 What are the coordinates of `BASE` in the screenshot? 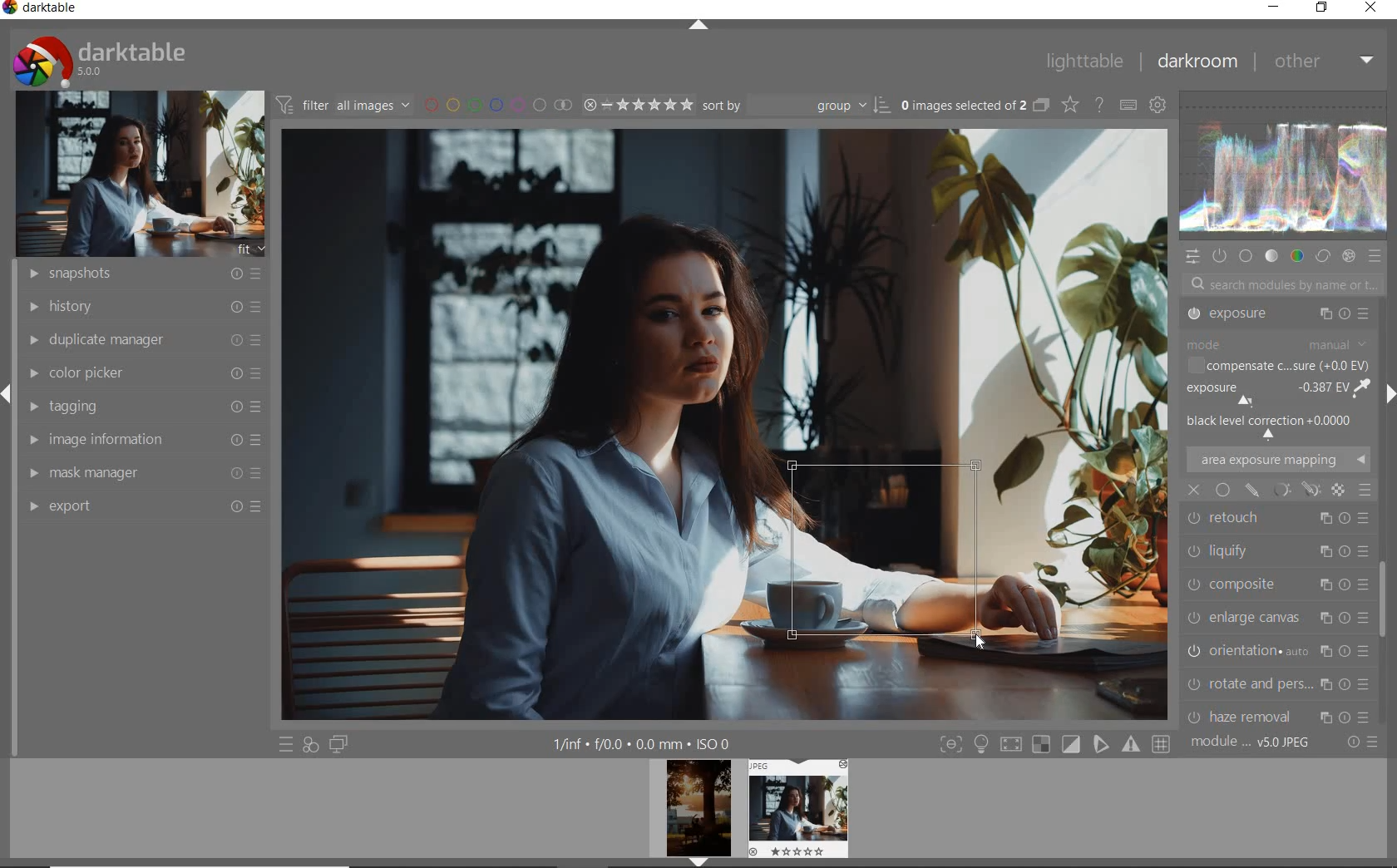 It's located at (1246, 257).